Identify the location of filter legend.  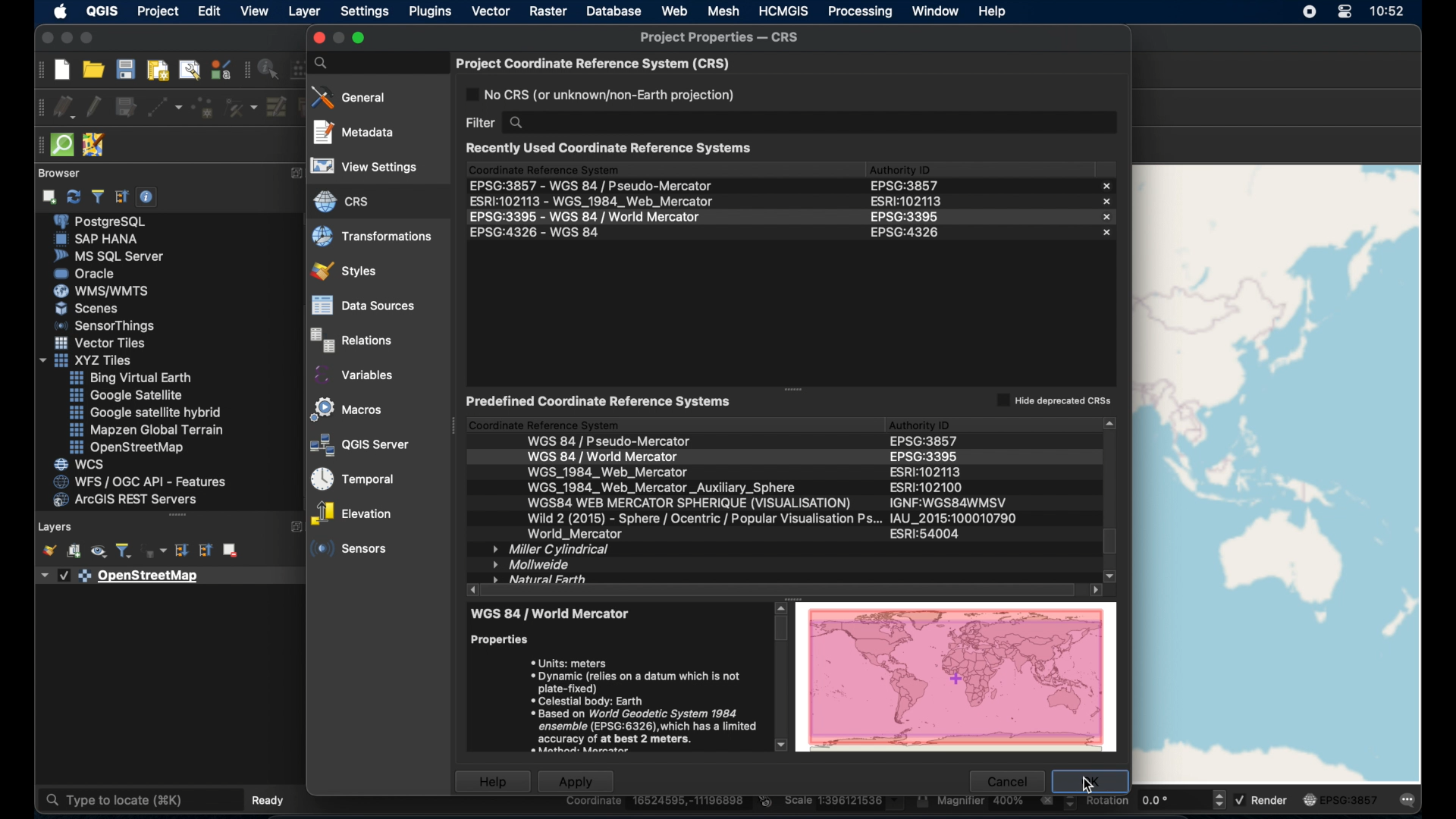
(125, 549).